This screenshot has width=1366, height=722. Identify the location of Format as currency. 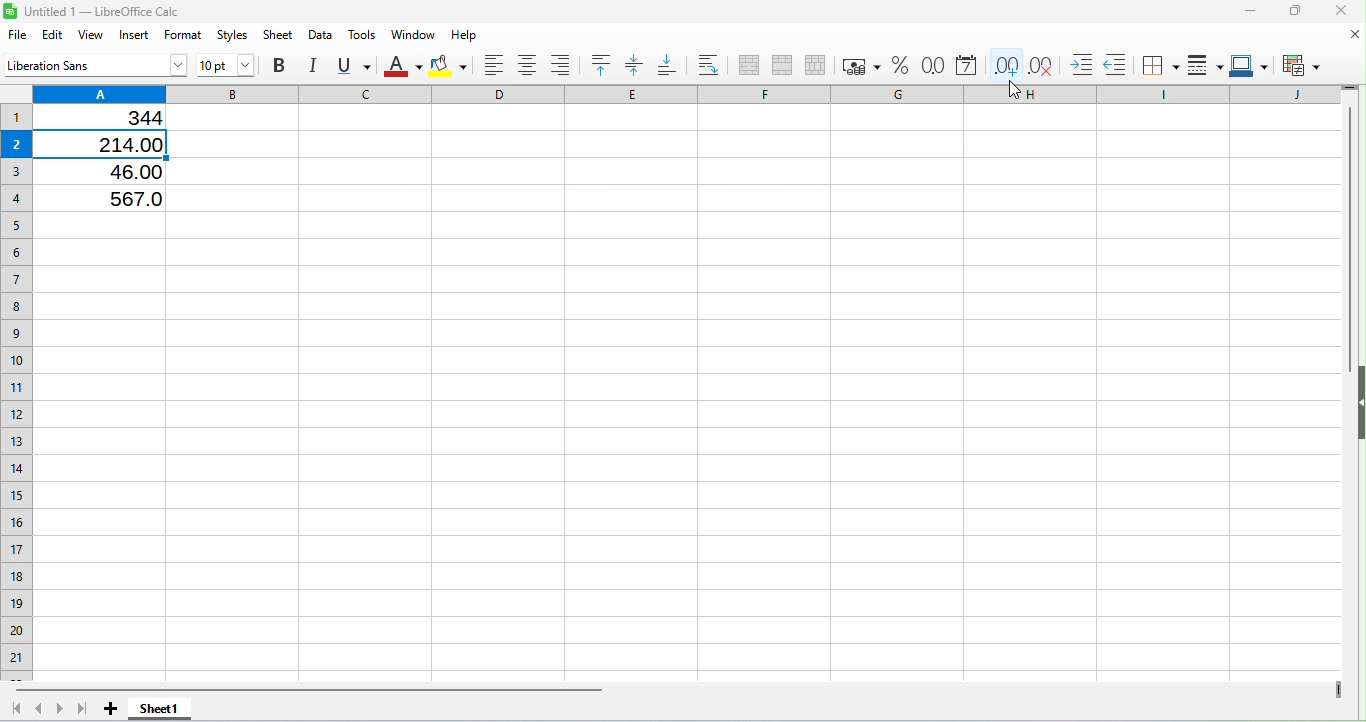
(857, 64).